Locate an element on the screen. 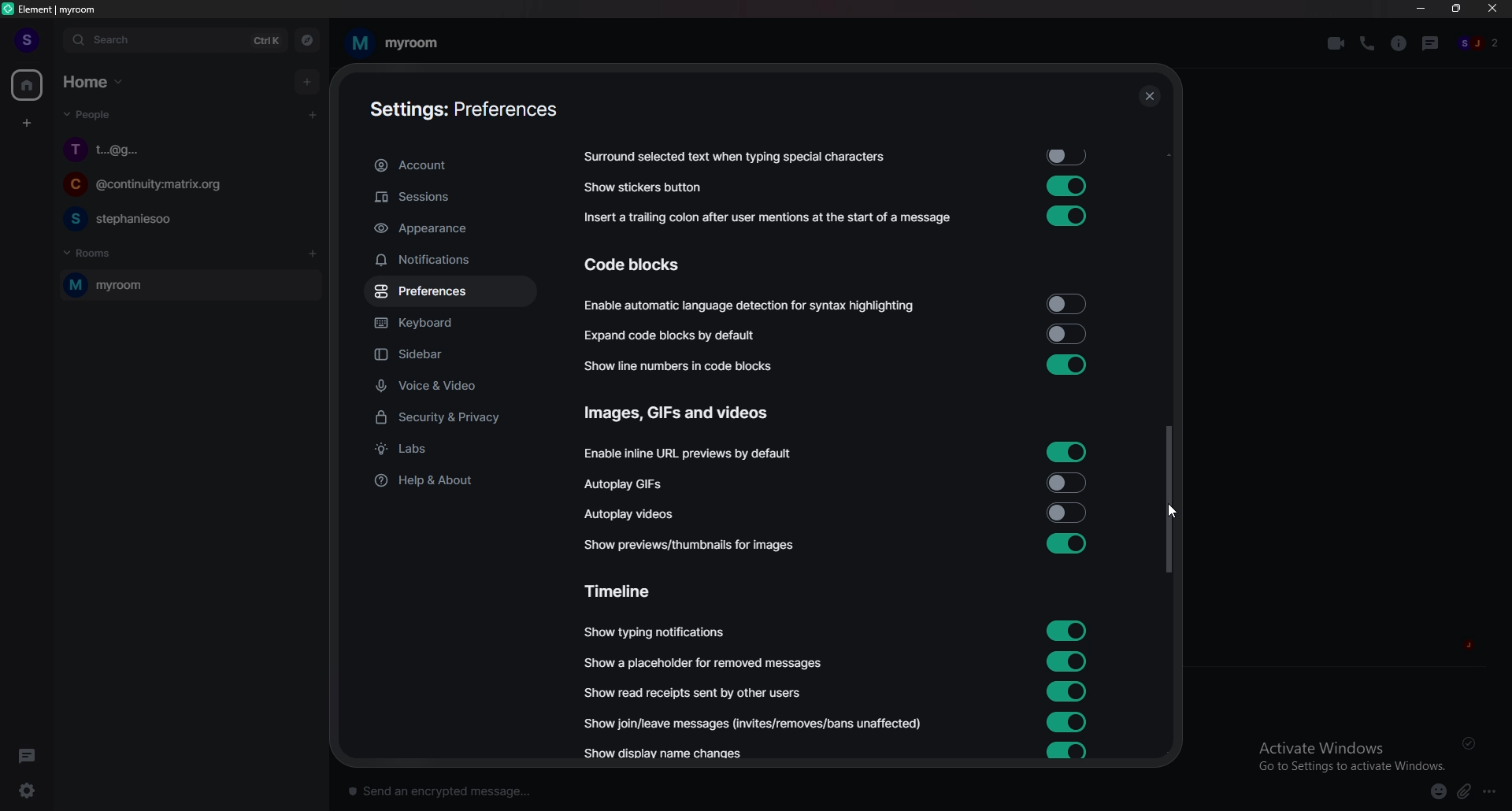 The image size is (1512, 811). autoplay gifs is located at coordinates (634, 484).